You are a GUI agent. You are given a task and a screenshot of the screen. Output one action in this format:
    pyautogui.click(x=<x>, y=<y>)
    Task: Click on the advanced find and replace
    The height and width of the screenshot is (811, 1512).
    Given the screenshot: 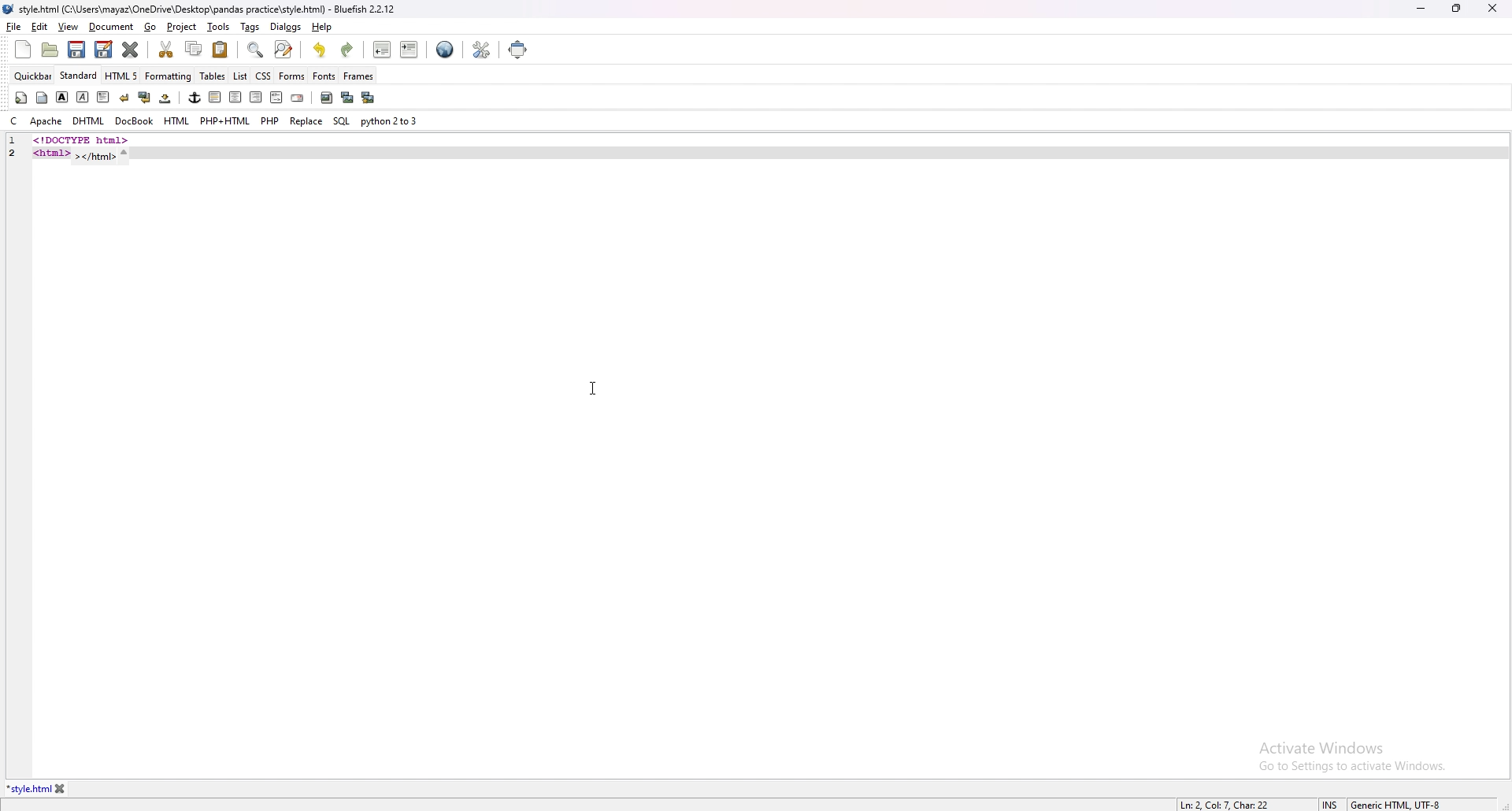 What is the action you would take?
    pyautogui.click(x=283, y=49)
    